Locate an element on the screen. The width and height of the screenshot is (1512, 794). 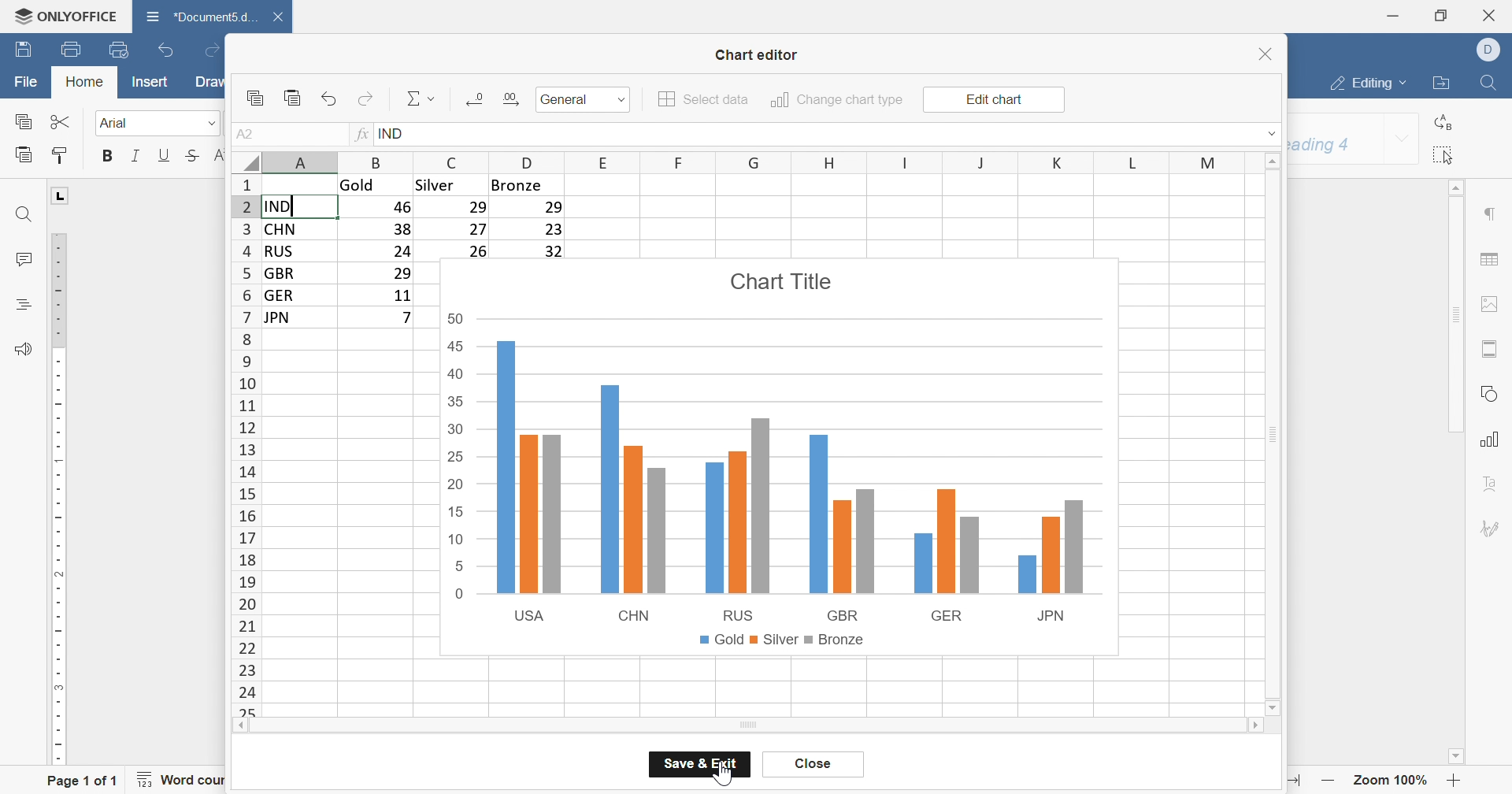
undo is located at coordinates (331, 98).